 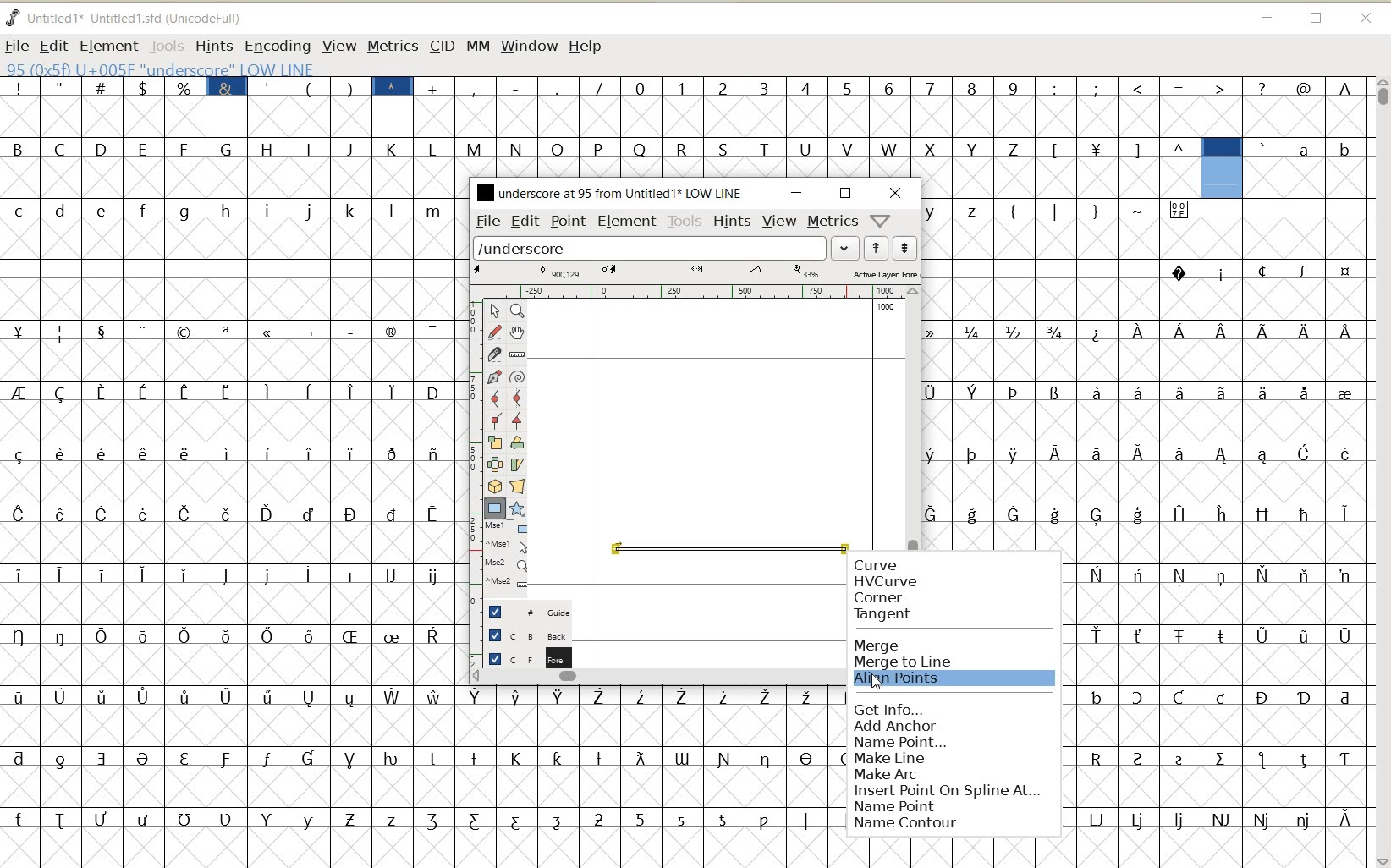 I want to click on SCROLLBAR, so click(x=1381, y=472).